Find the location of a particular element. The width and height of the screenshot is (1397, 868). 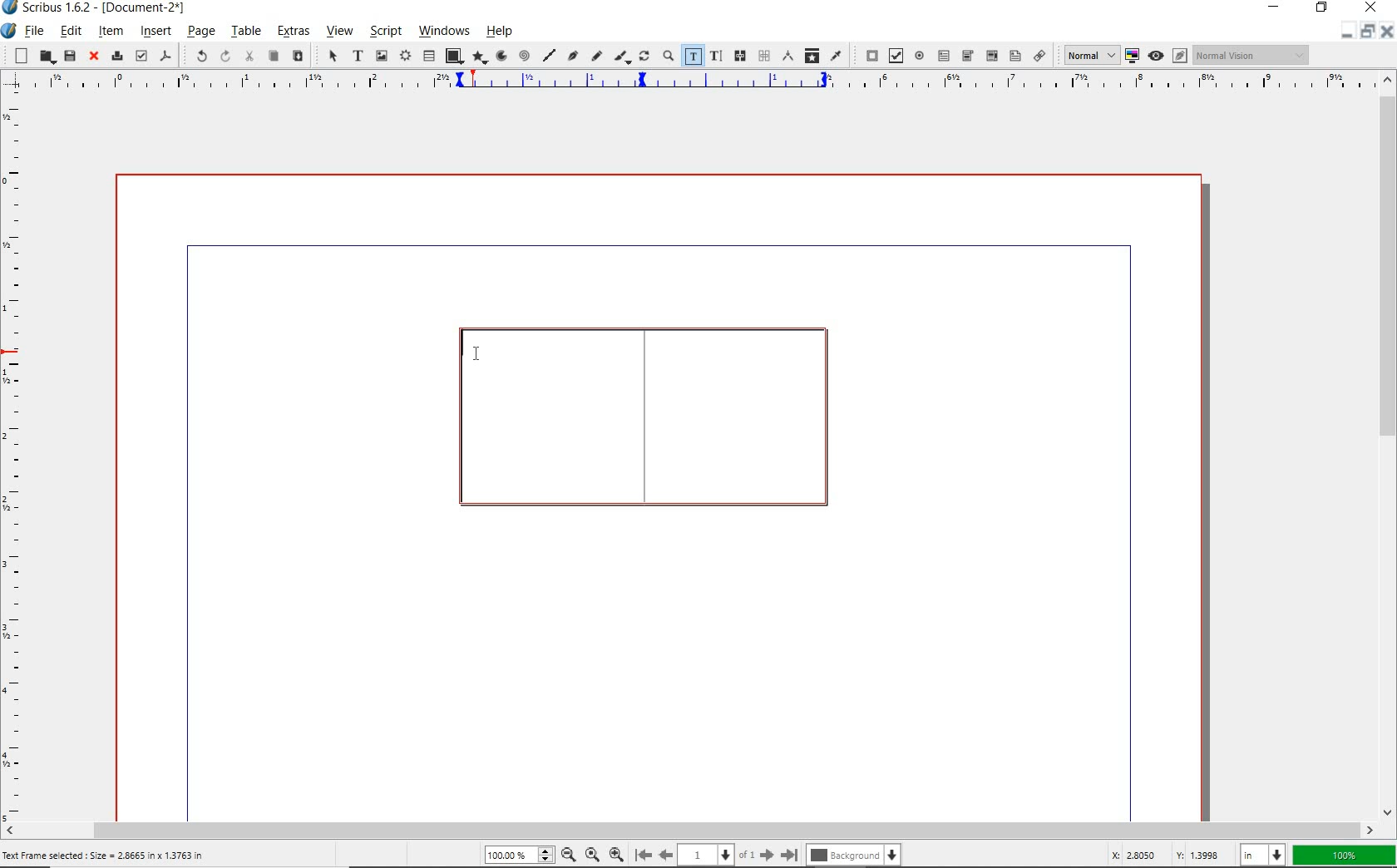

pdf list box is located at coordinates (1014, 55).